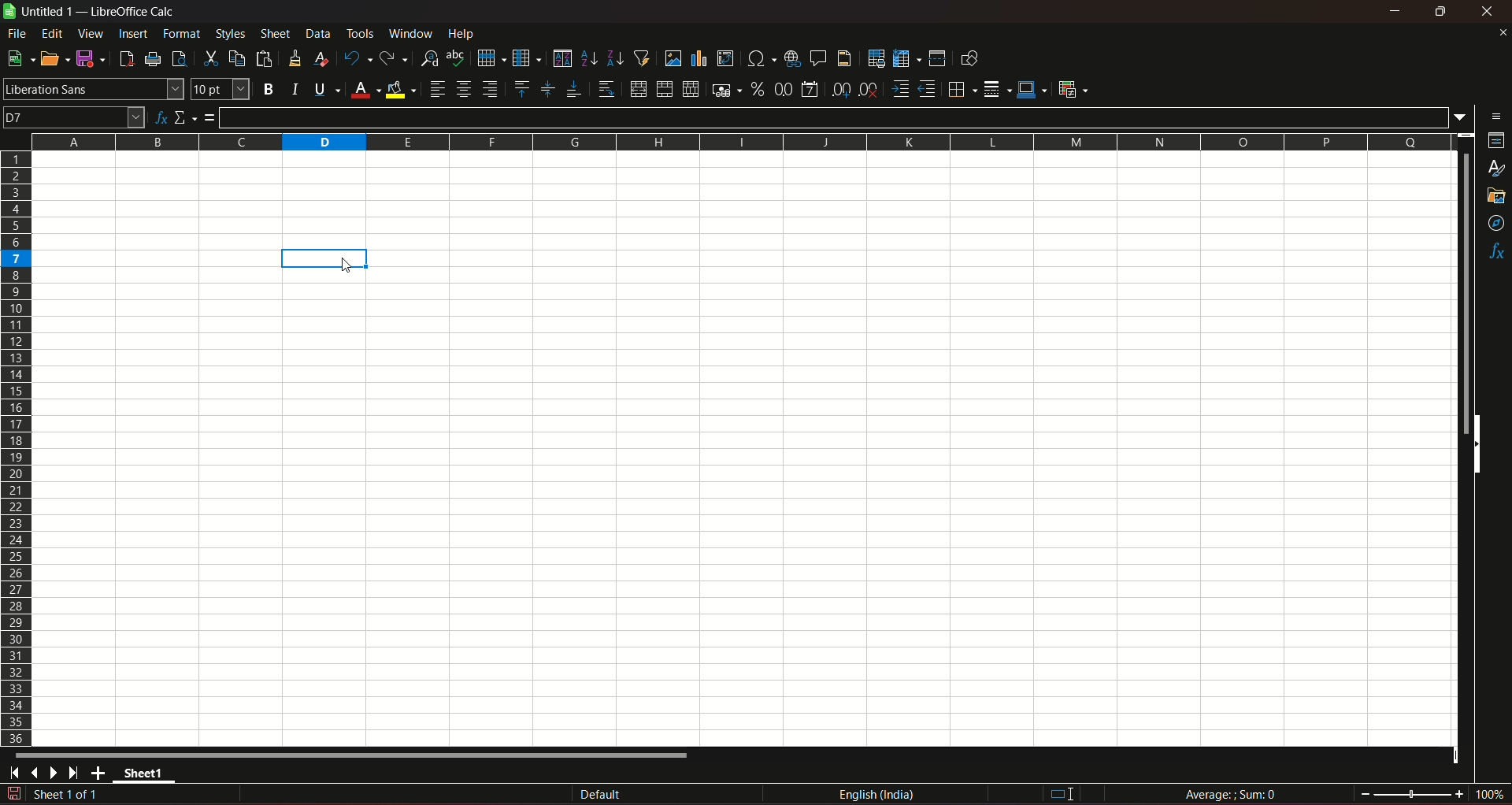 Image resolution: width=1512 pixels, height=805 pixels. What do you see at coordinates (74, 116) in the screenshot?
I see `name box` at bounding box center [74, 116].